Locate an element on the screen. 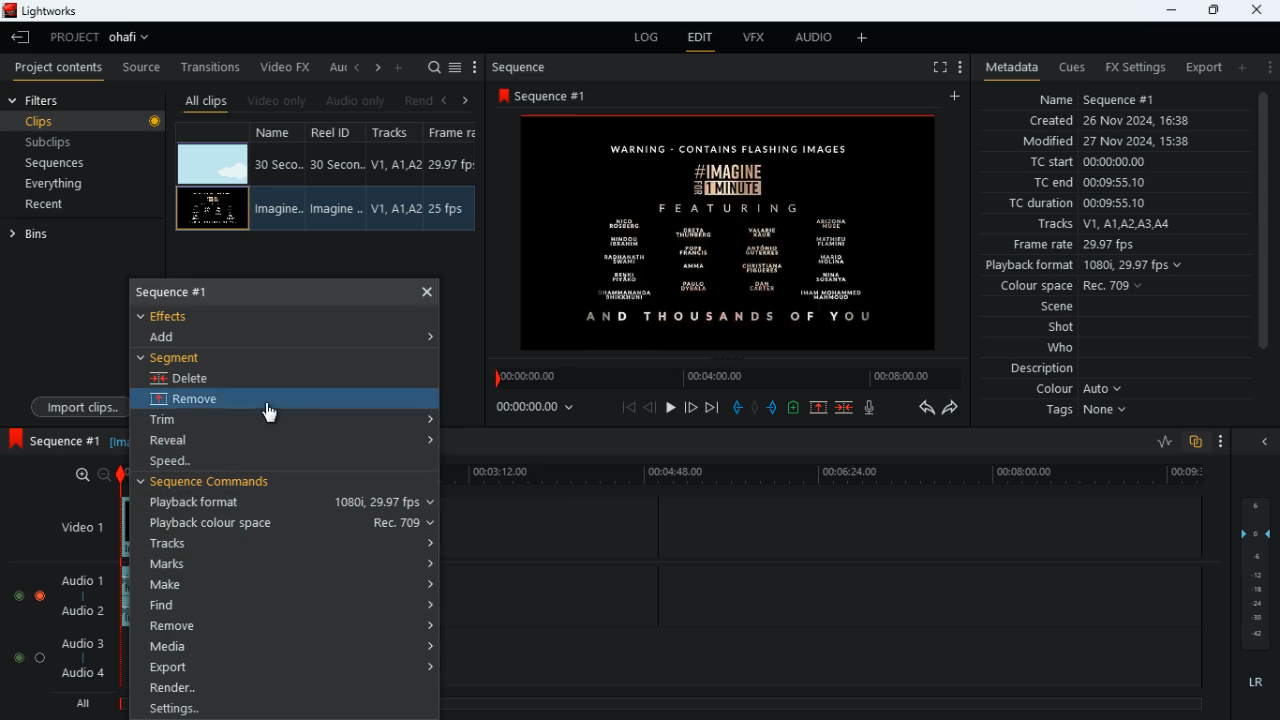 The image size is (1280, 720). sequence is located at coordinates (54, 441).